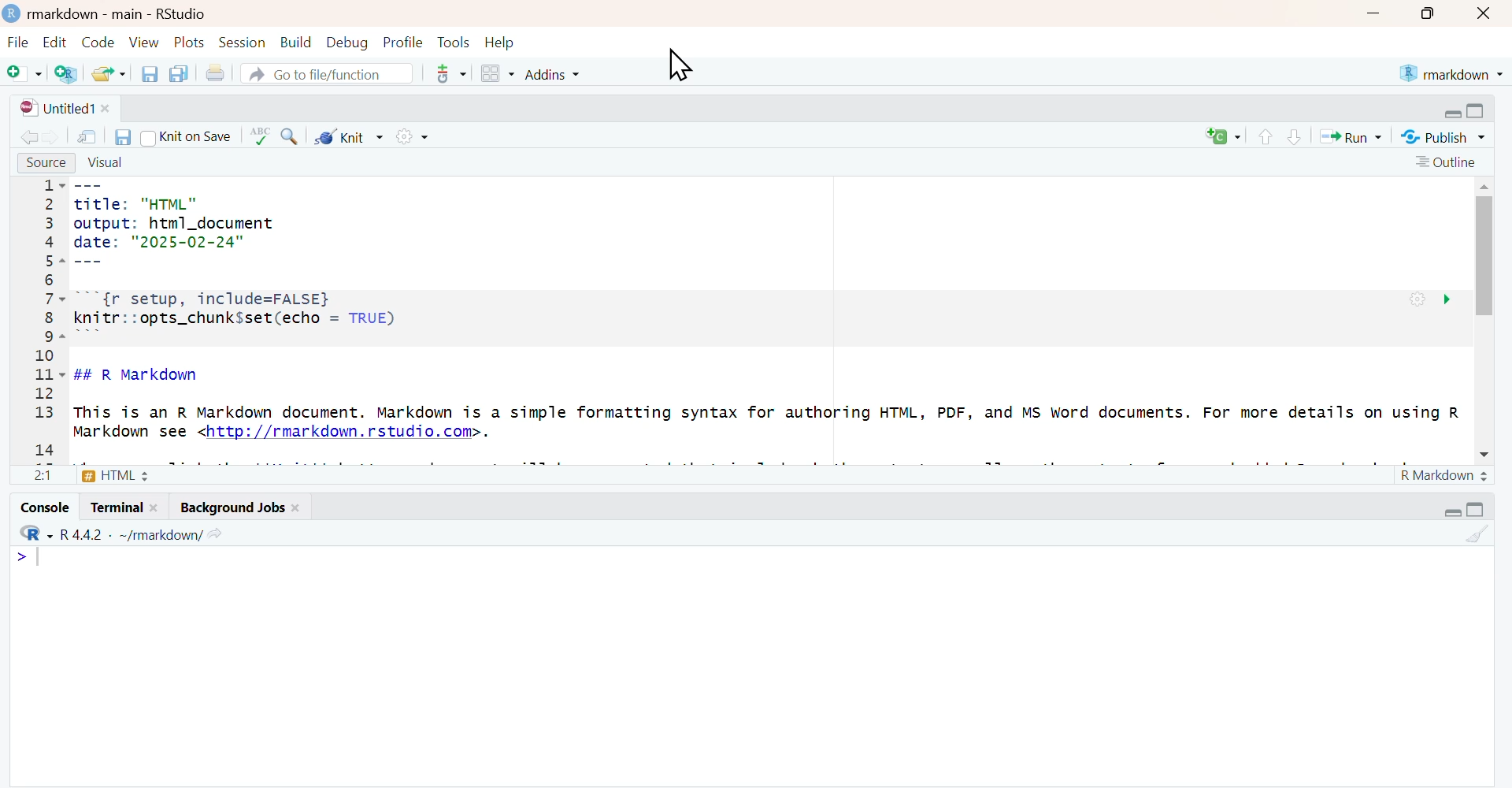 This screenshot has width=1512, height=788. What do you see at coordinates (1485, 13) in the screenshot?
I see `Close` at bounding box center [1485, 13].